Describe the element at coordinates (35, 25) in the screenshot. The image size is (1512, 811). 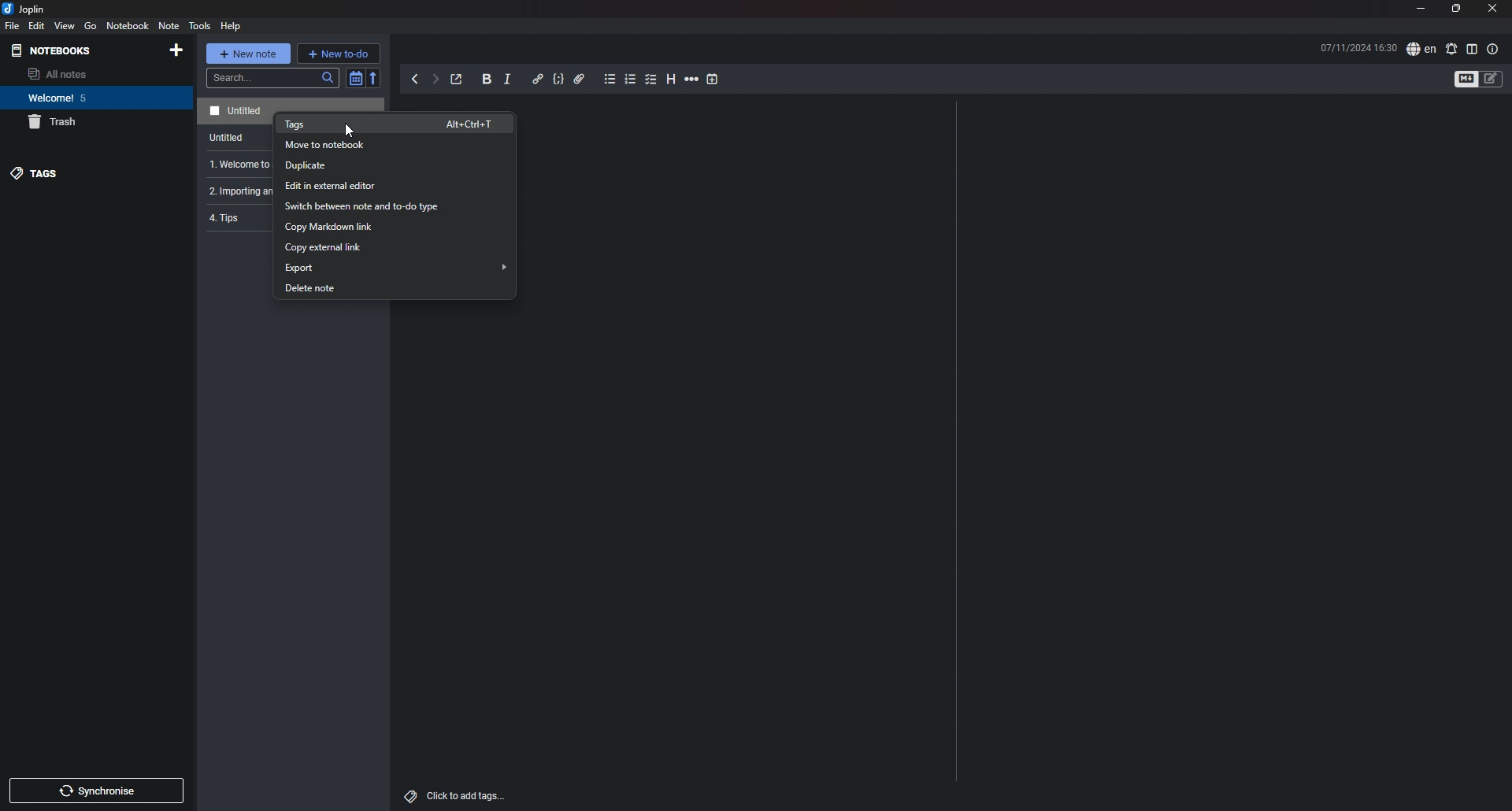
I see `edit` at that location.